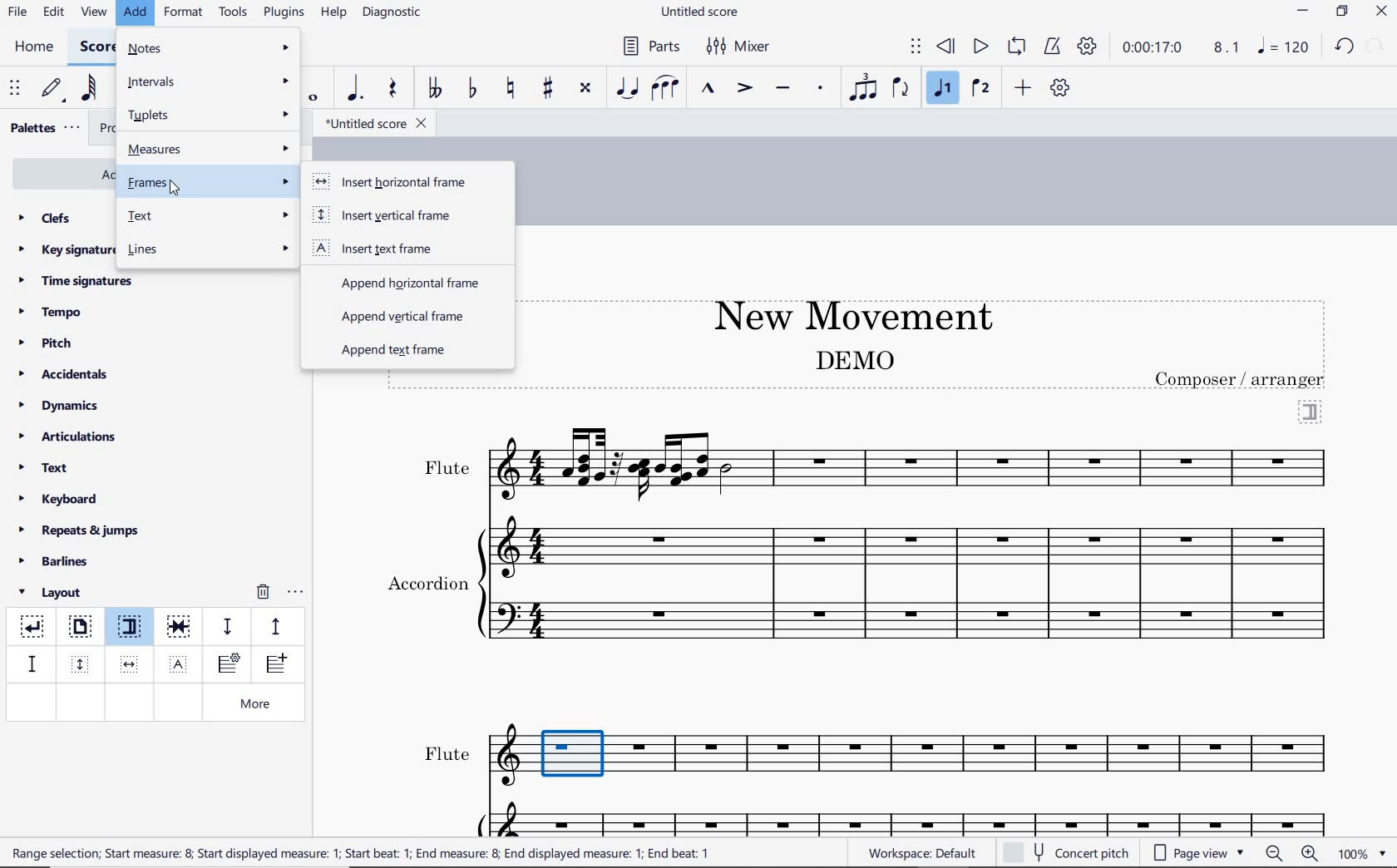  Describe the element at coordinates (66, 373) in the screenshot. I see `accidentals` at that location.